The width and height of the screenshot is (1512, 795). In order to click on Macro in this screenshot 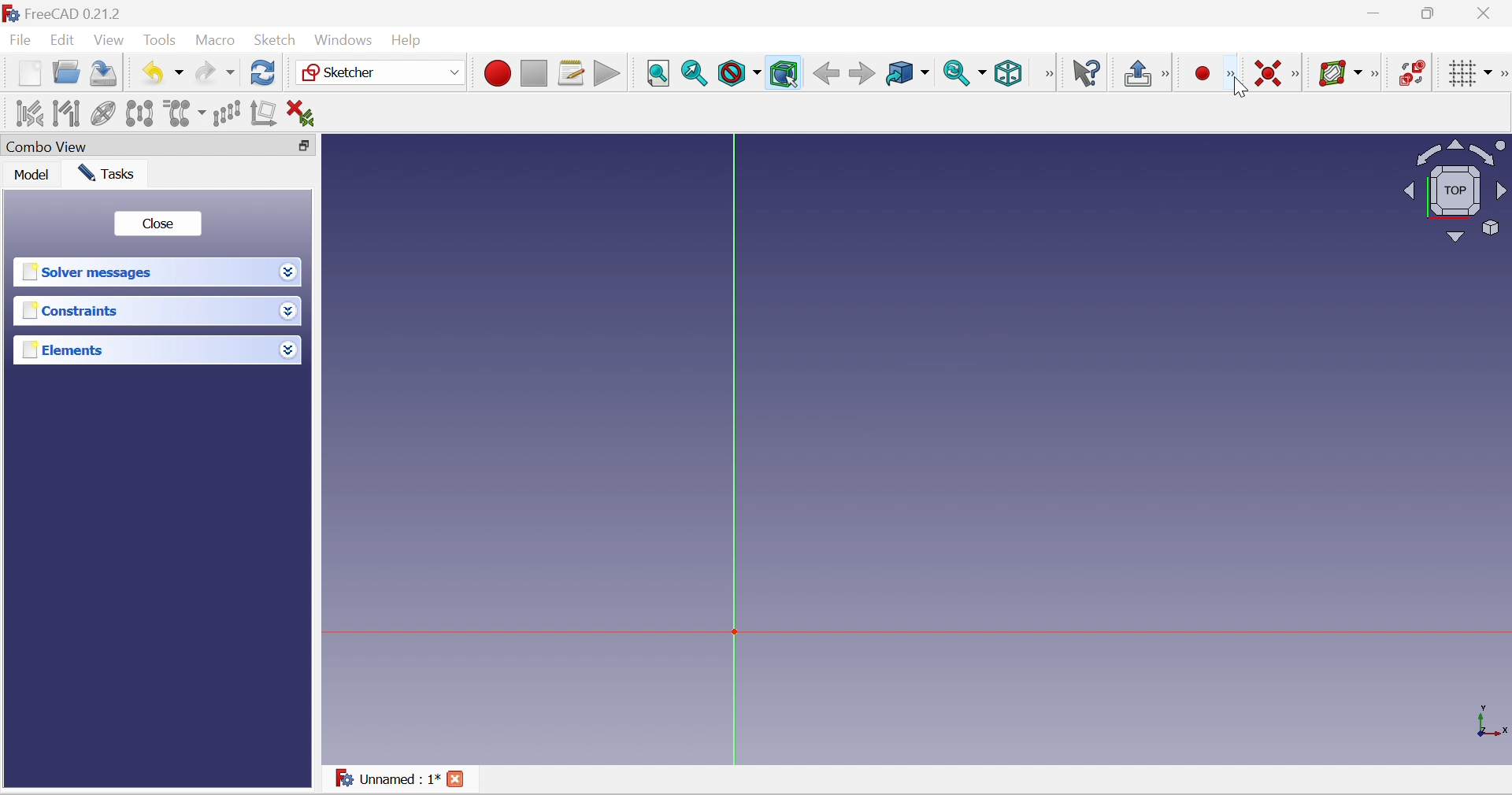, I will do `click(213, 41)`.